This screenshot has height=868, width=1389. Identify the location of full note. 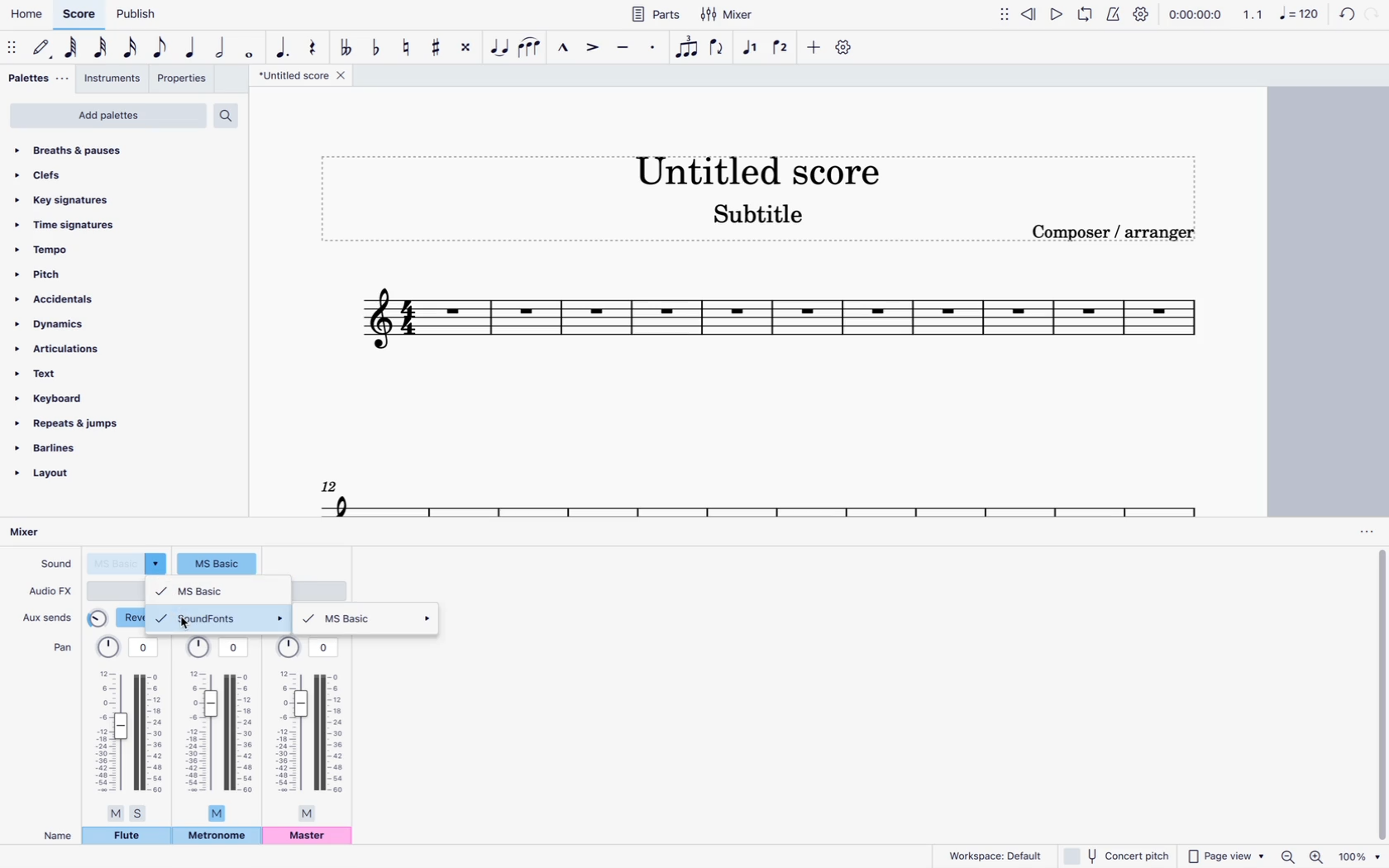
(250, 48).